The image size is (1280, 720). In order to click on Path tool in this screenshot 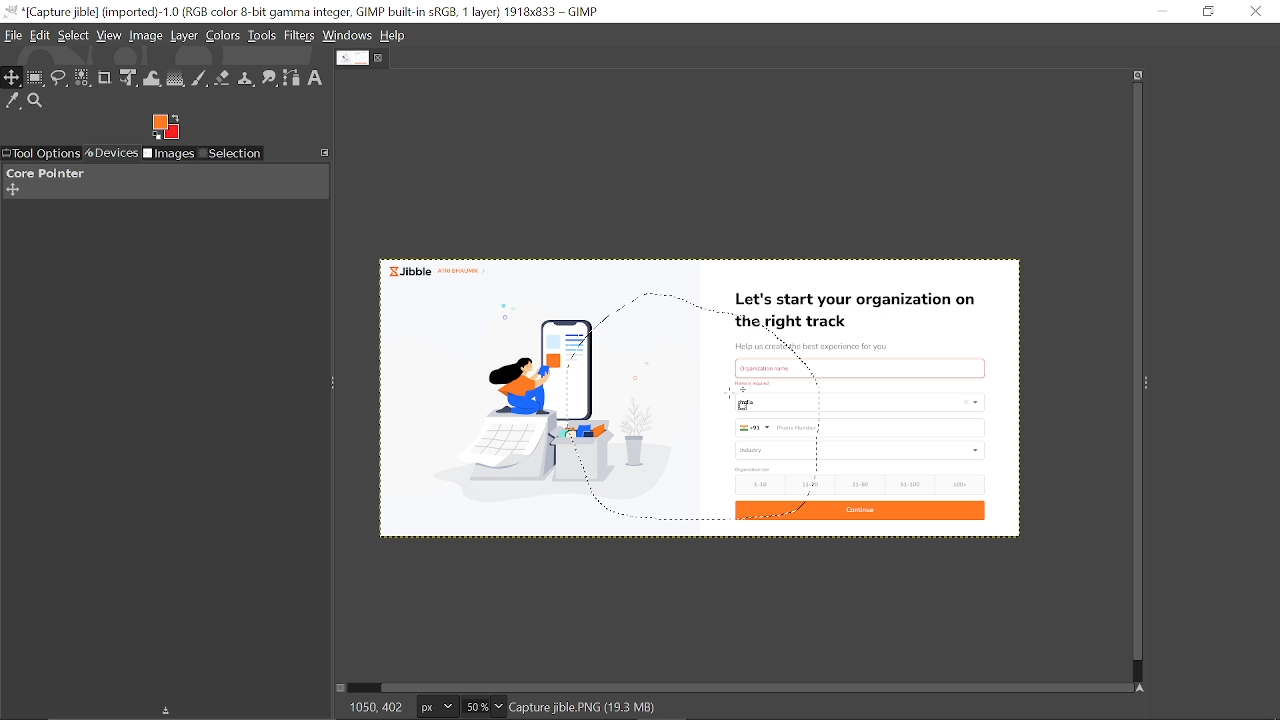, I will do `click(292, 79)`.